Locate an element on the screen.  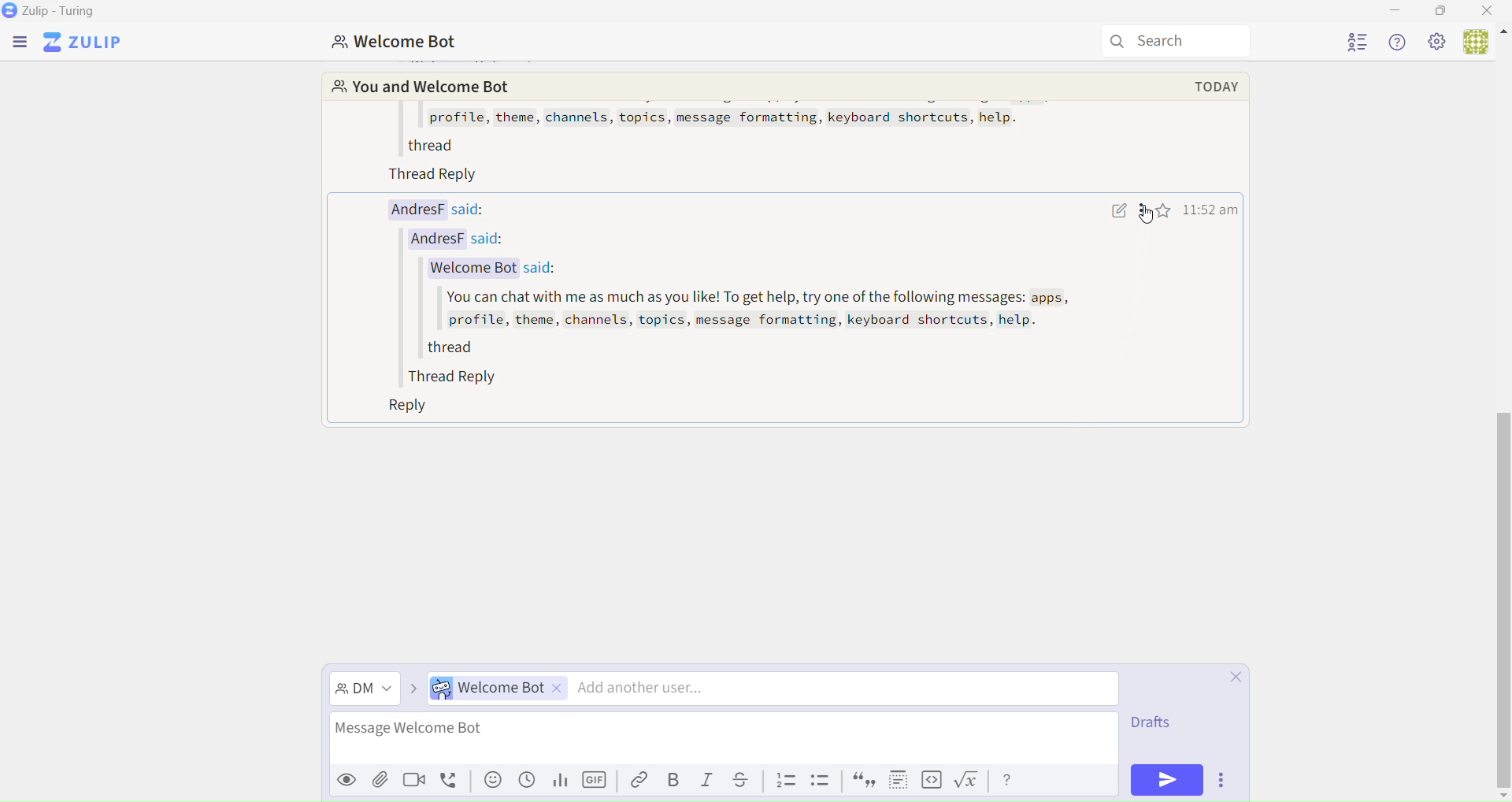
Zulip is located at coordinates (58, 13).